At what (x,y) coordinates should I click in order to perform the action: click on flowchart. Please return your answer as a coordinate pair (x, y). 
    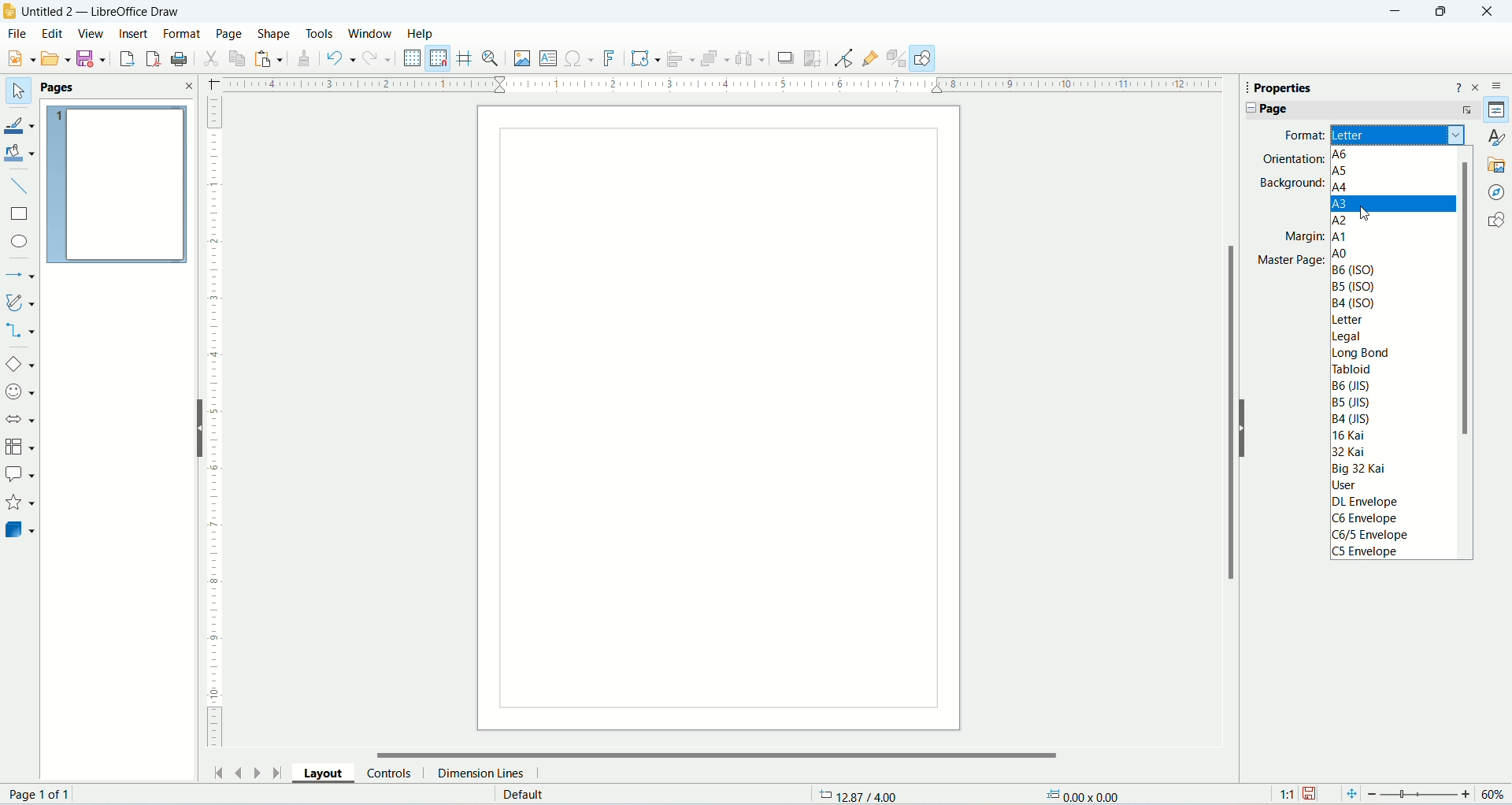
    Looking at the image, I should click on (19, 448).